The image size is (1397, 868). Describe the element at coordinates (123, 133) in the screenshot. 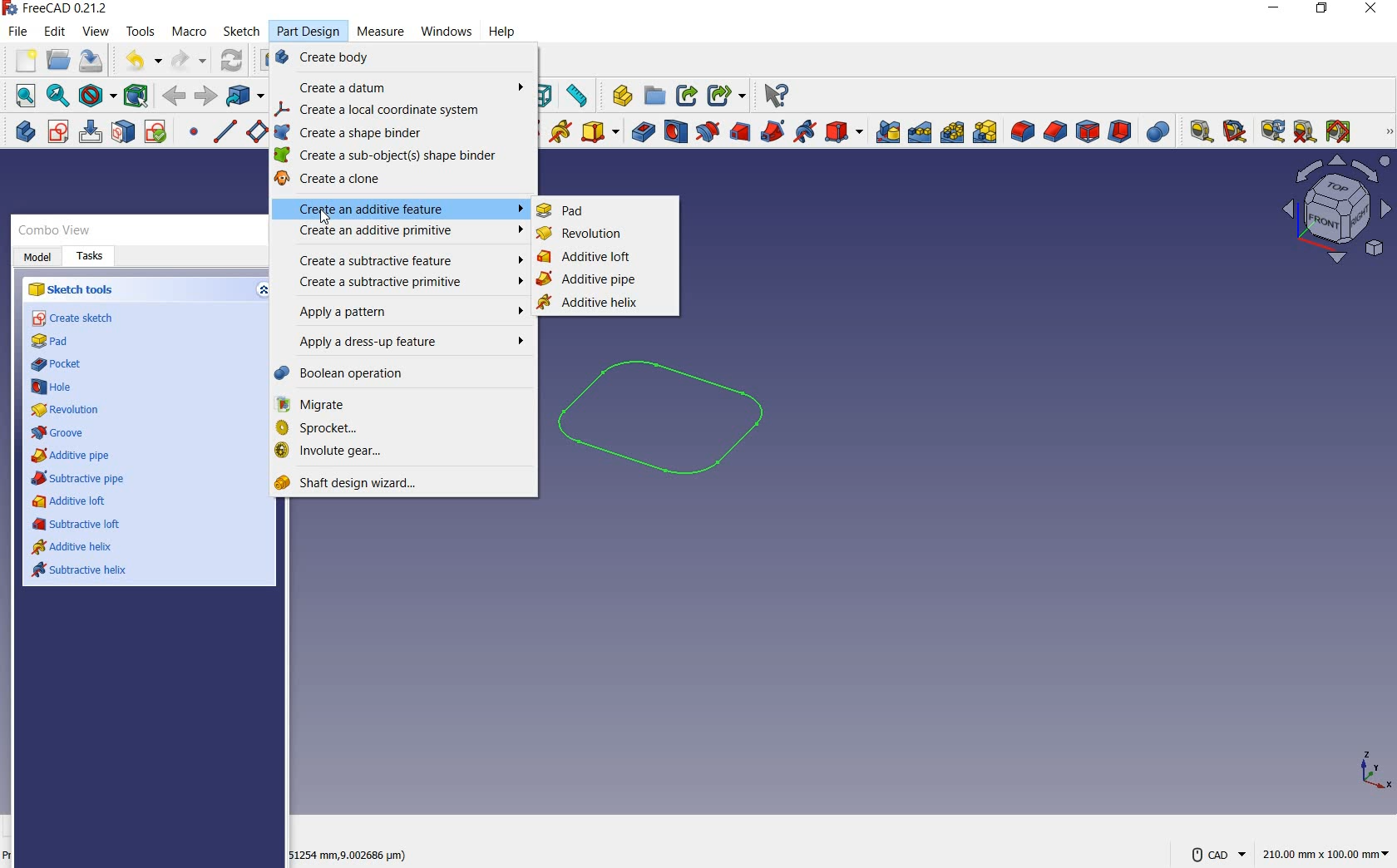

I see `map sketch to face` at that location.